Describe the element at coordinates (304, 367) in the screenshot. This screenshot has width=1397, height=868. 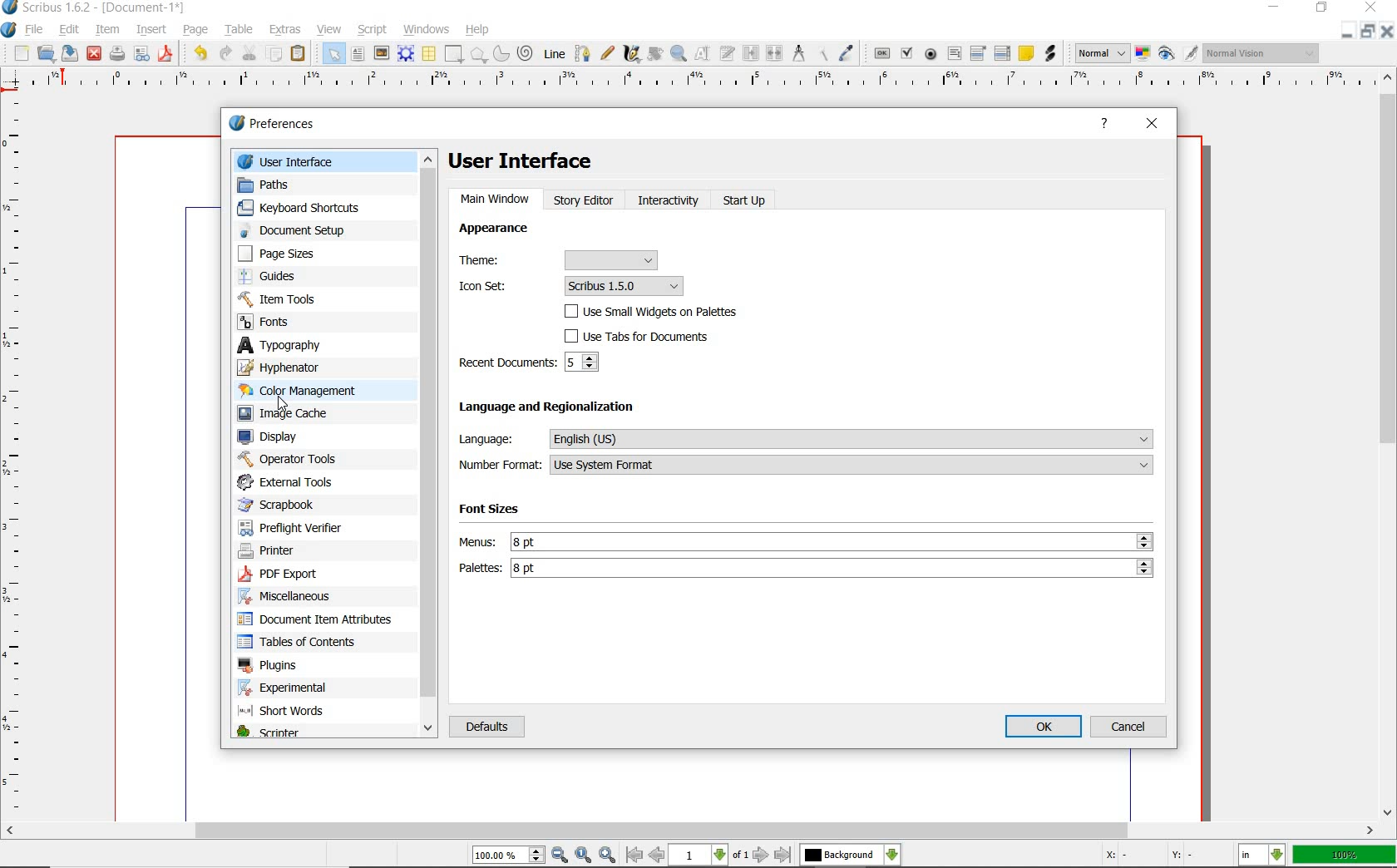
I see `hyphenator` at that location.